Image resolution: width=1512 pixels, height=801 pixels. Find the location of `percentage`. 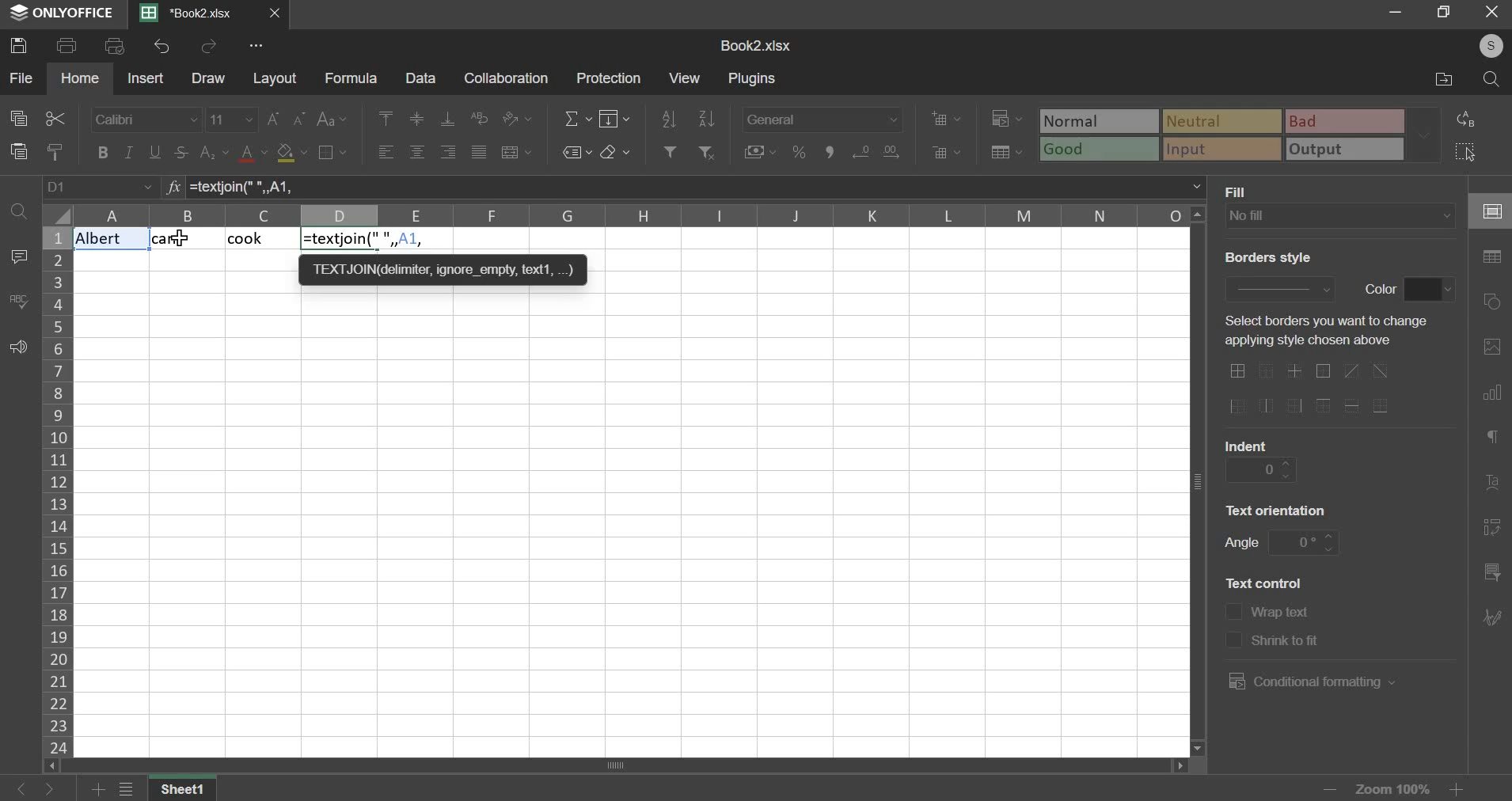

percentage is located at coordinates (798, 152).